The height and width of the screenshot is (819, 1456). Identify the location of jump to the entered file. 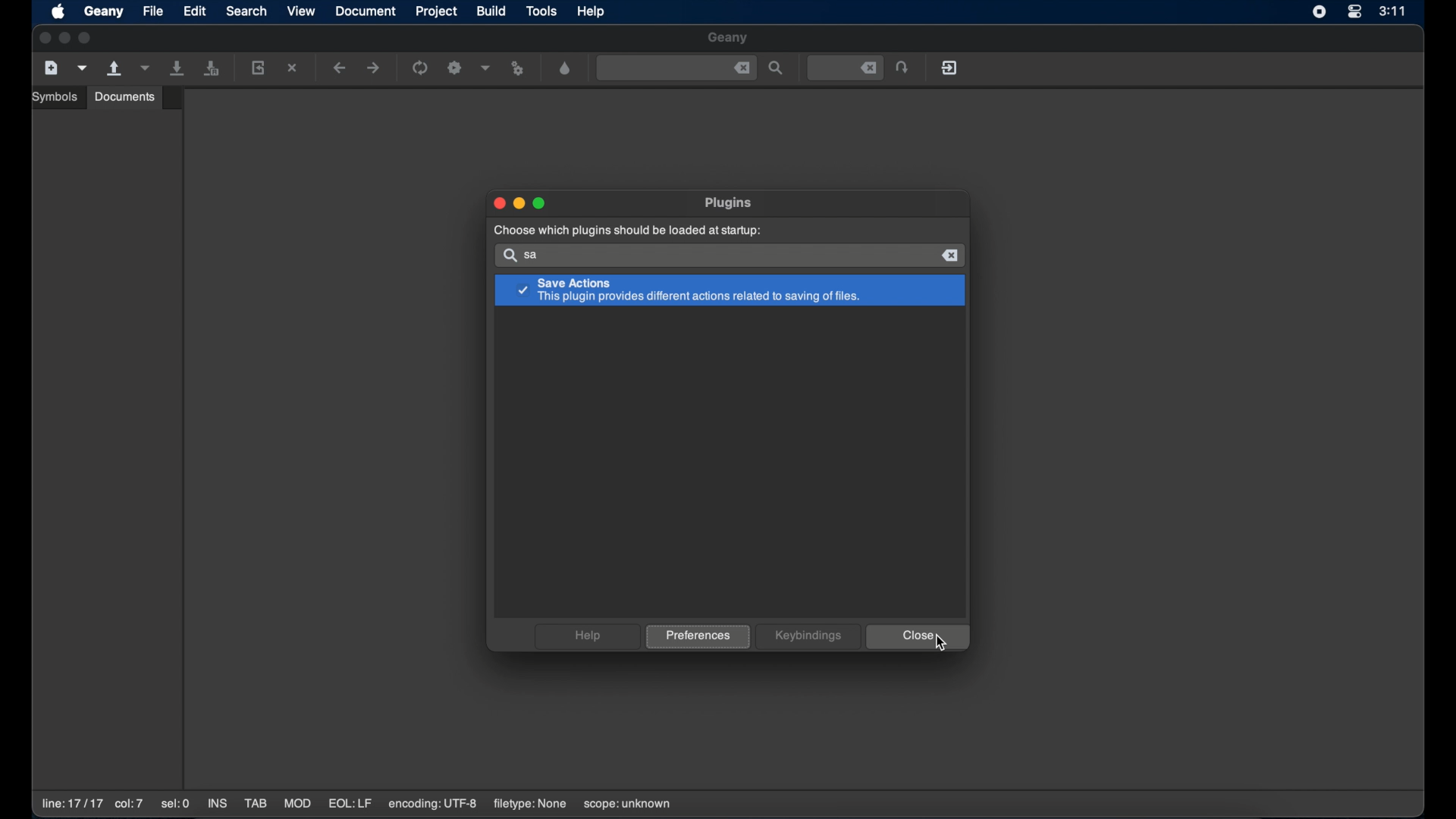
(846, 68).